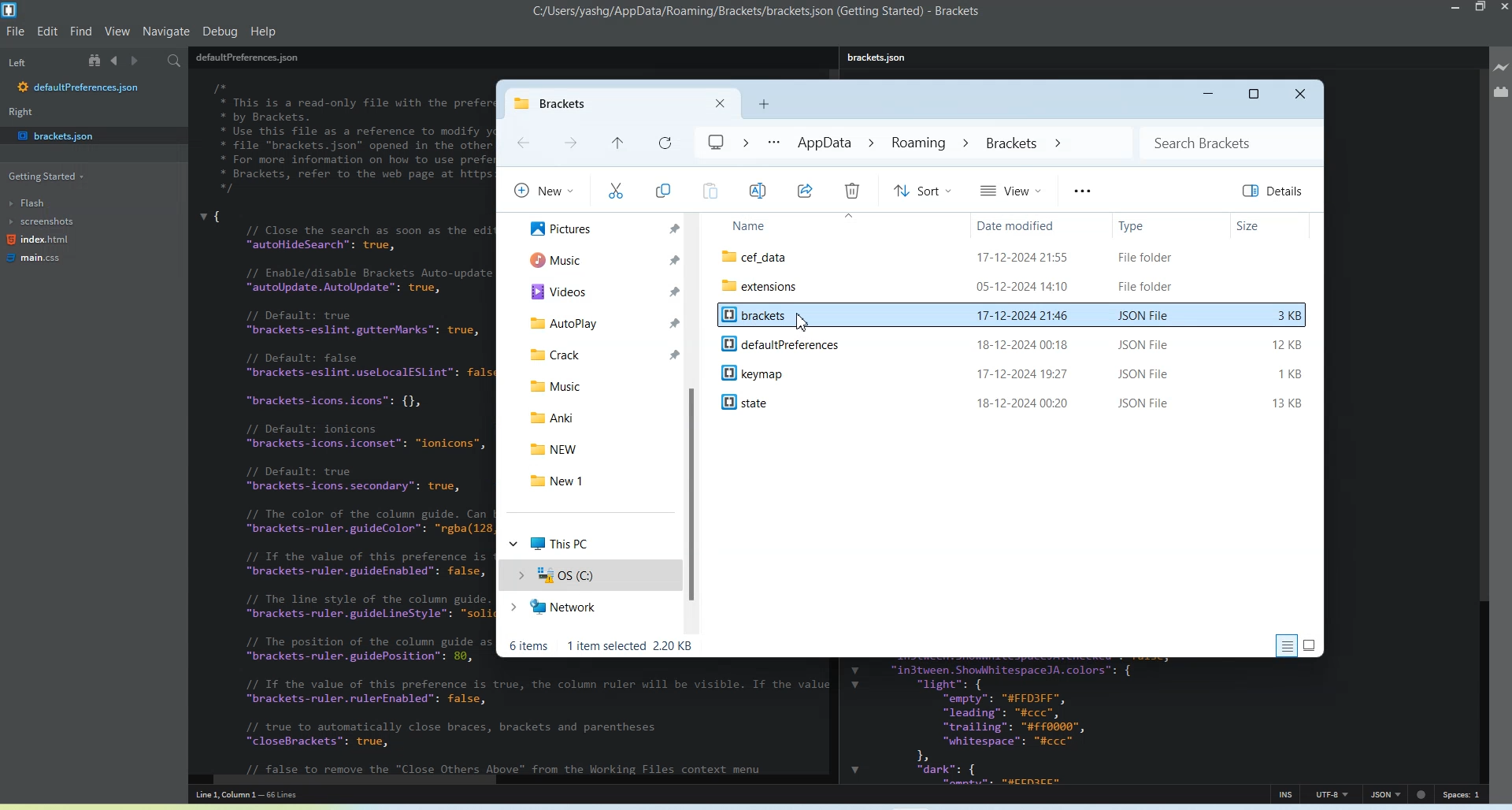 Image resolution: width=1512 pixels, height=810 pixels. What do you see at coordinates (38, 242) in the screenshot?
I see `index.html` at bounding box center [38, 242].